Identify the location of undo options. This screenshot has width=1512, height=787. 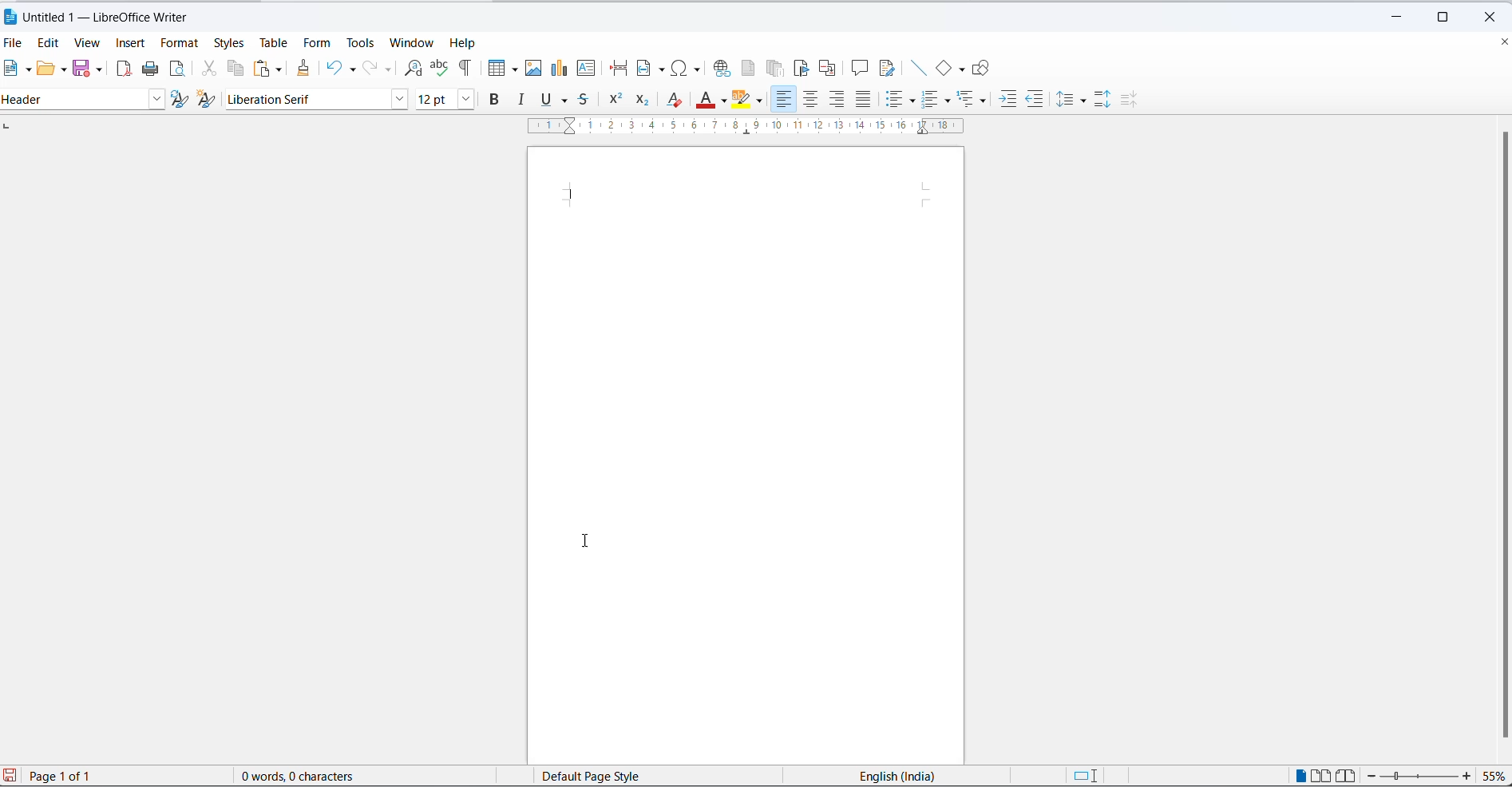
(352, 69).